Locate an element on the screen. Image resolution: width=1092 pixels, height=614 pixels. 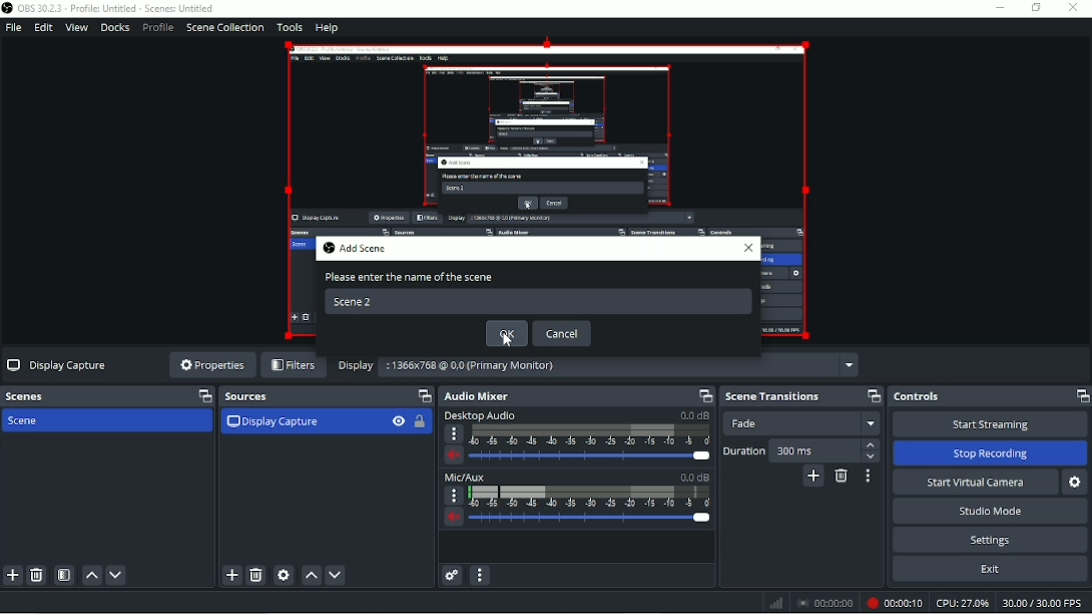
Properties is located at coordinates (210, 364).